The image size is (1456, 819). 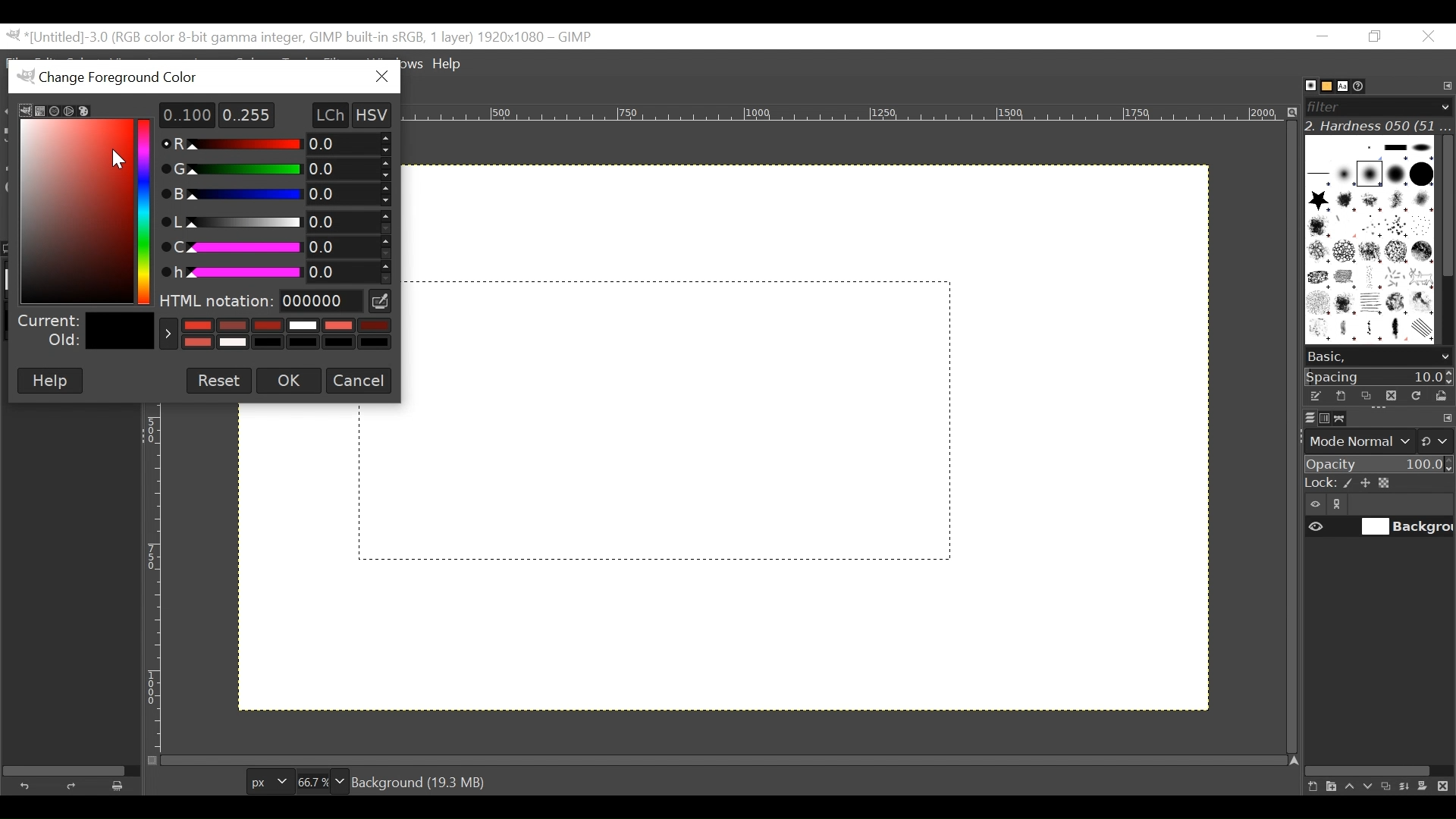 I want to click on HSV, so click(x=379, y=114).